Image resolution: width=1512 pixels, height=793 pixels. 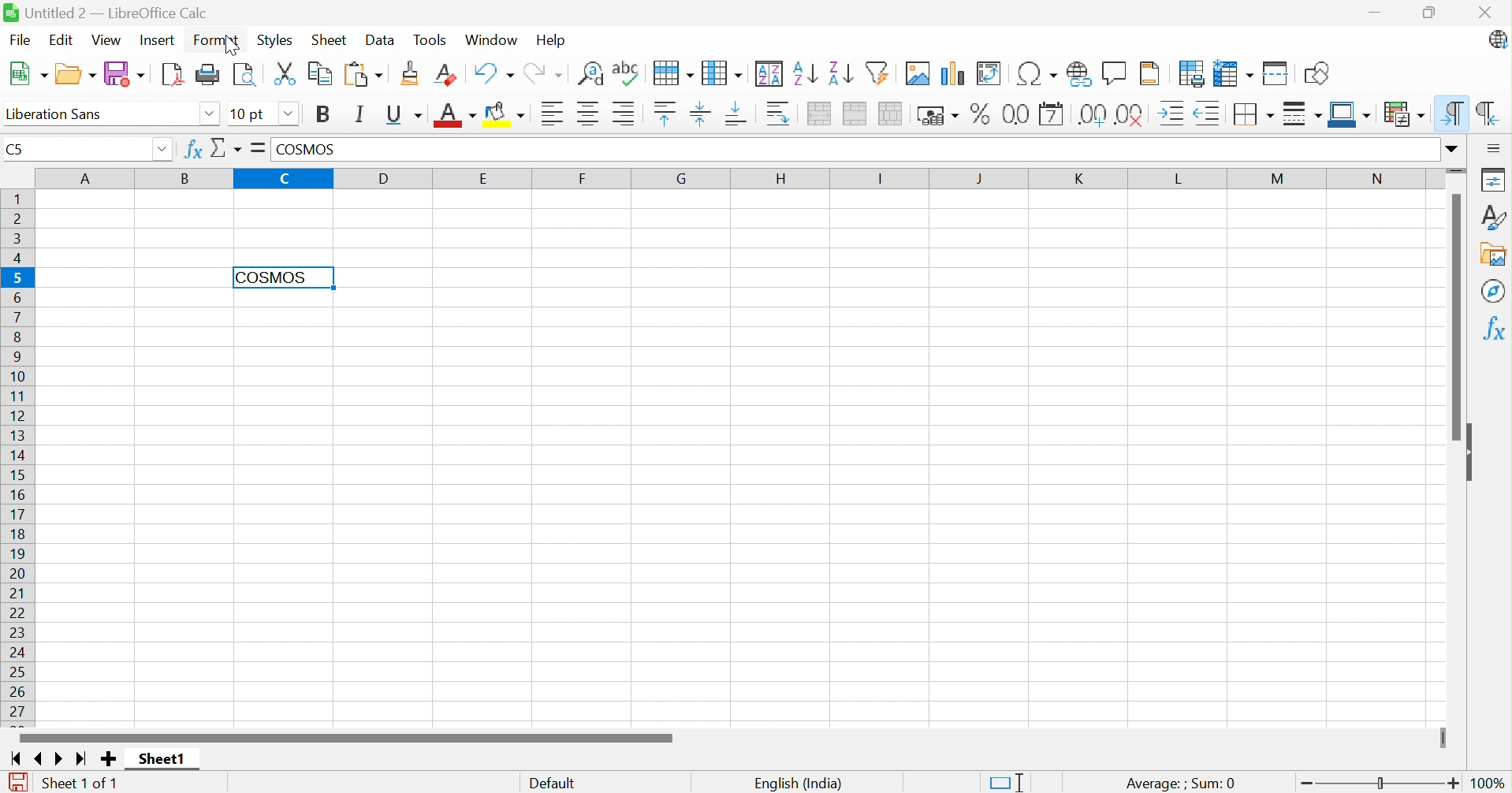 What do you see at coordinates (676, 72) in the screenshot?
I see `Row` at bounding box center [676, 72].